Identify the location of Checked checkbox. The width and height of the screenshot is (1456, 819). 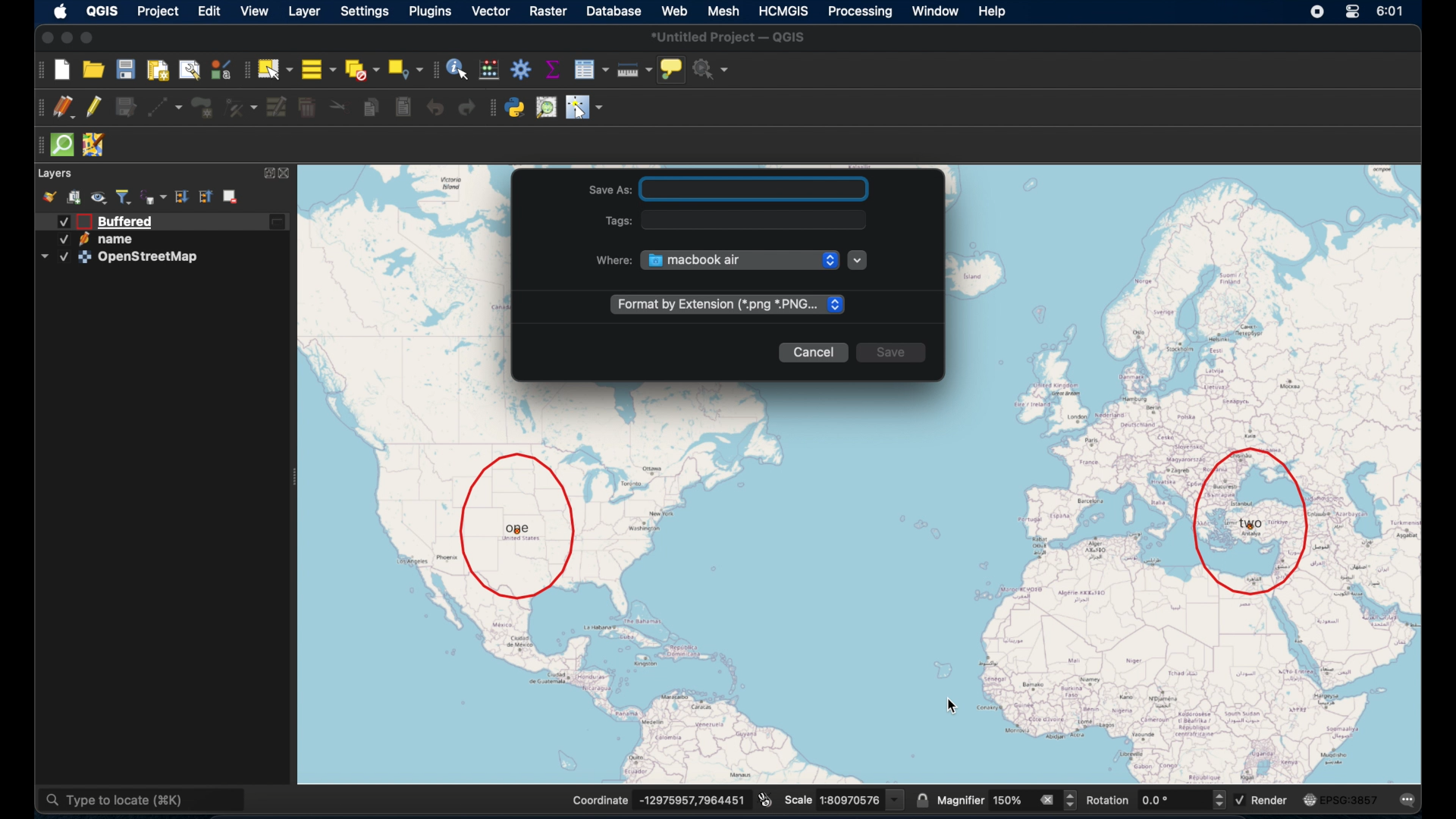
(63, 257).